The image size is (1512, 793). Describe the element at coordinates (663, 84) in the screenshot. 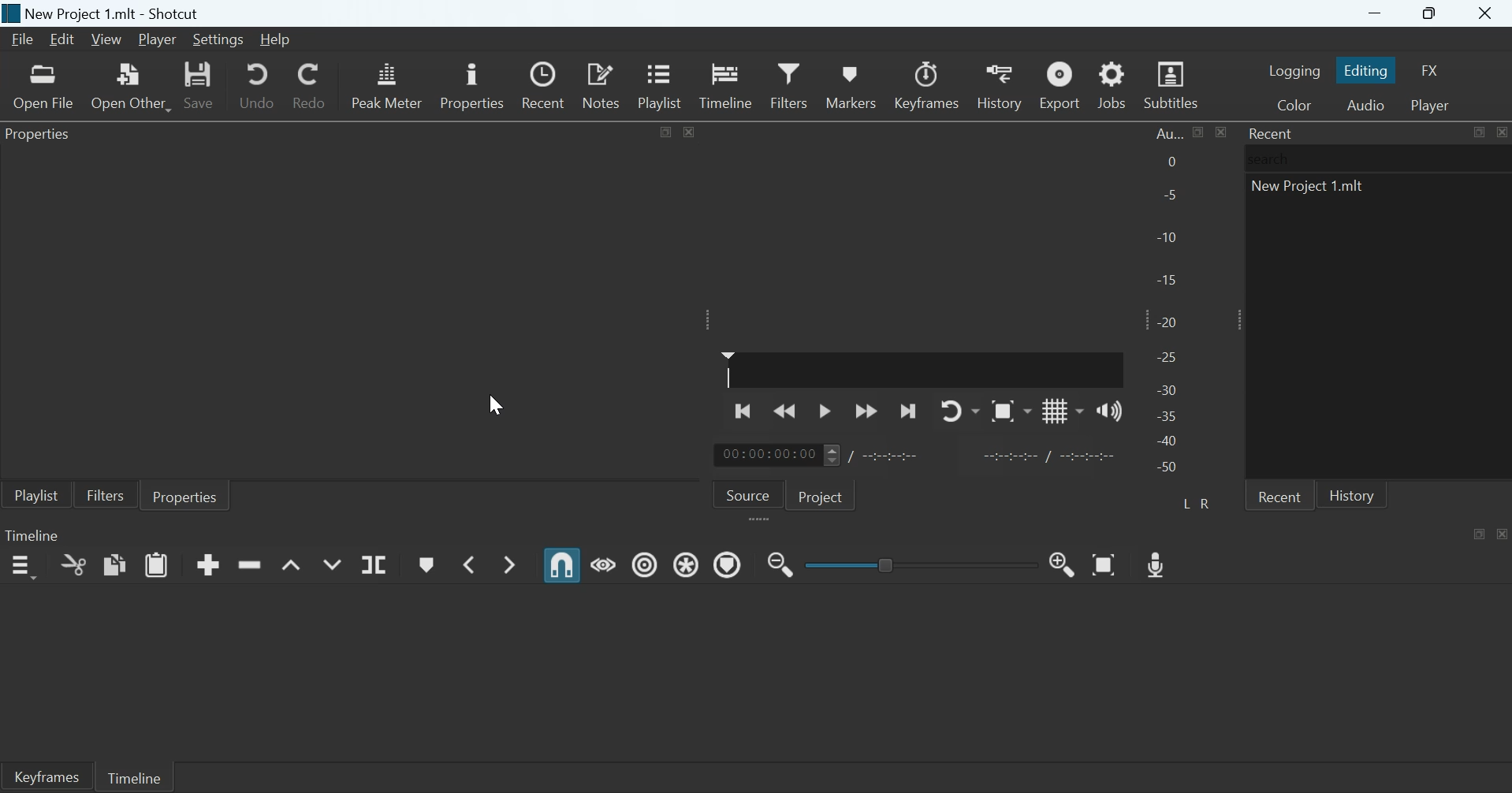

I see `Playlist` at that location.